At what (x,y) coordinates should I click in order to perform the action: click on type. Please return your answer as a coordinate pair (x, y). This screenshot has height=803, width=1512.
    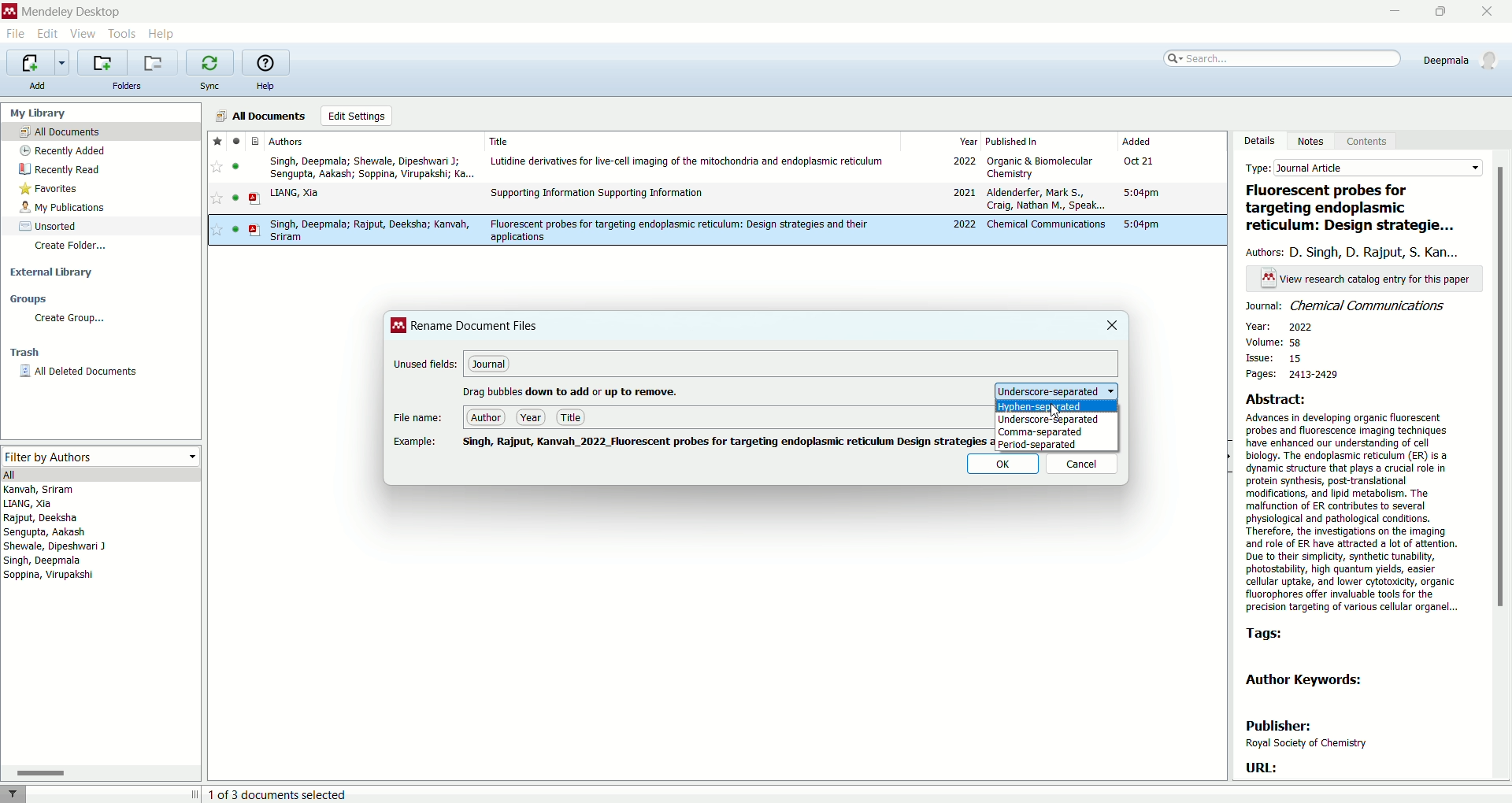
    Looking at the image, I should click on (1365, 168).